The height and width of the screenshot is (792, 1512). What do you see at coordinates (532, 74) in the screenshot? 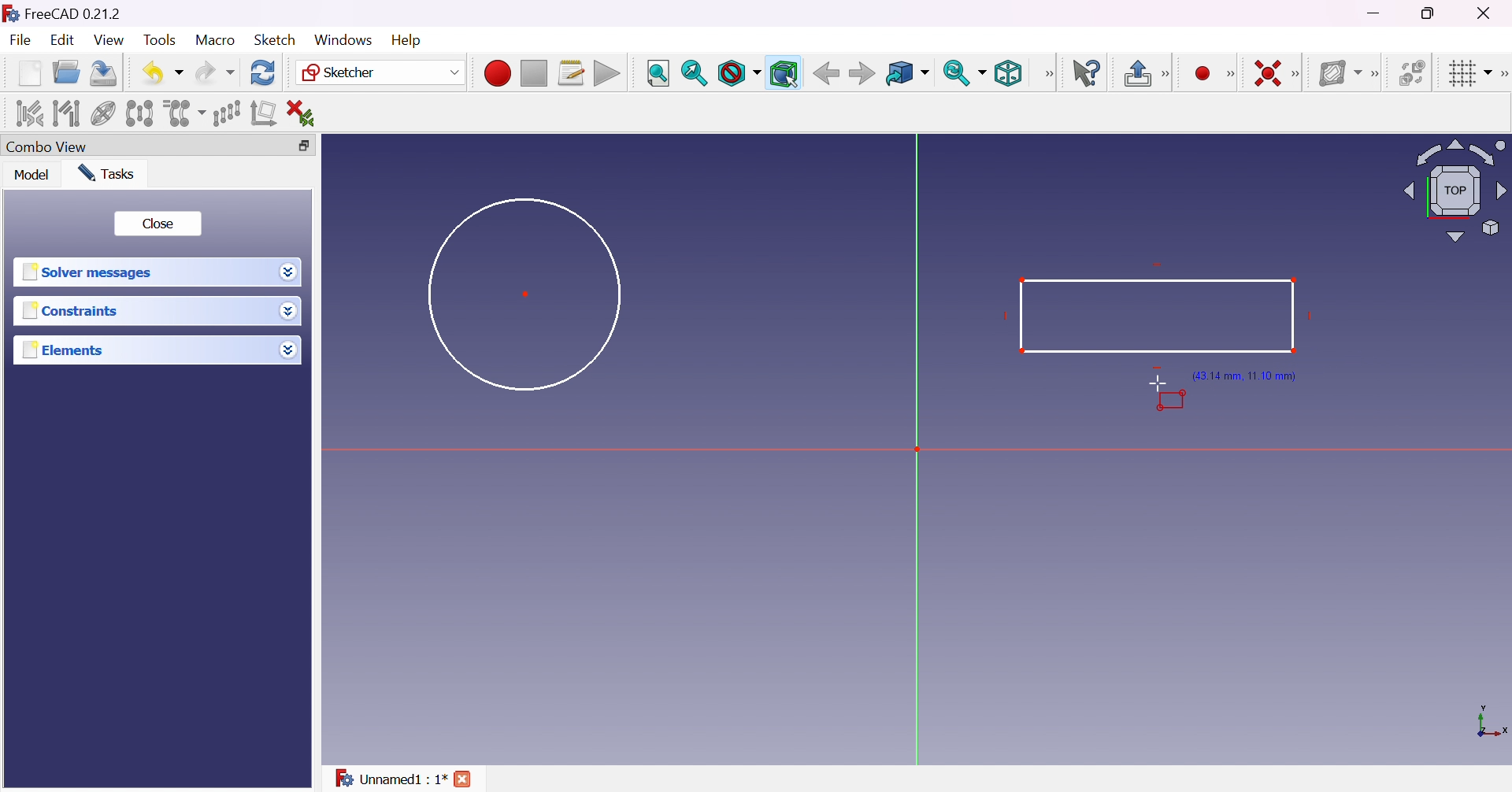
I see `Stop macro recording` at bounding box center [532, 74].